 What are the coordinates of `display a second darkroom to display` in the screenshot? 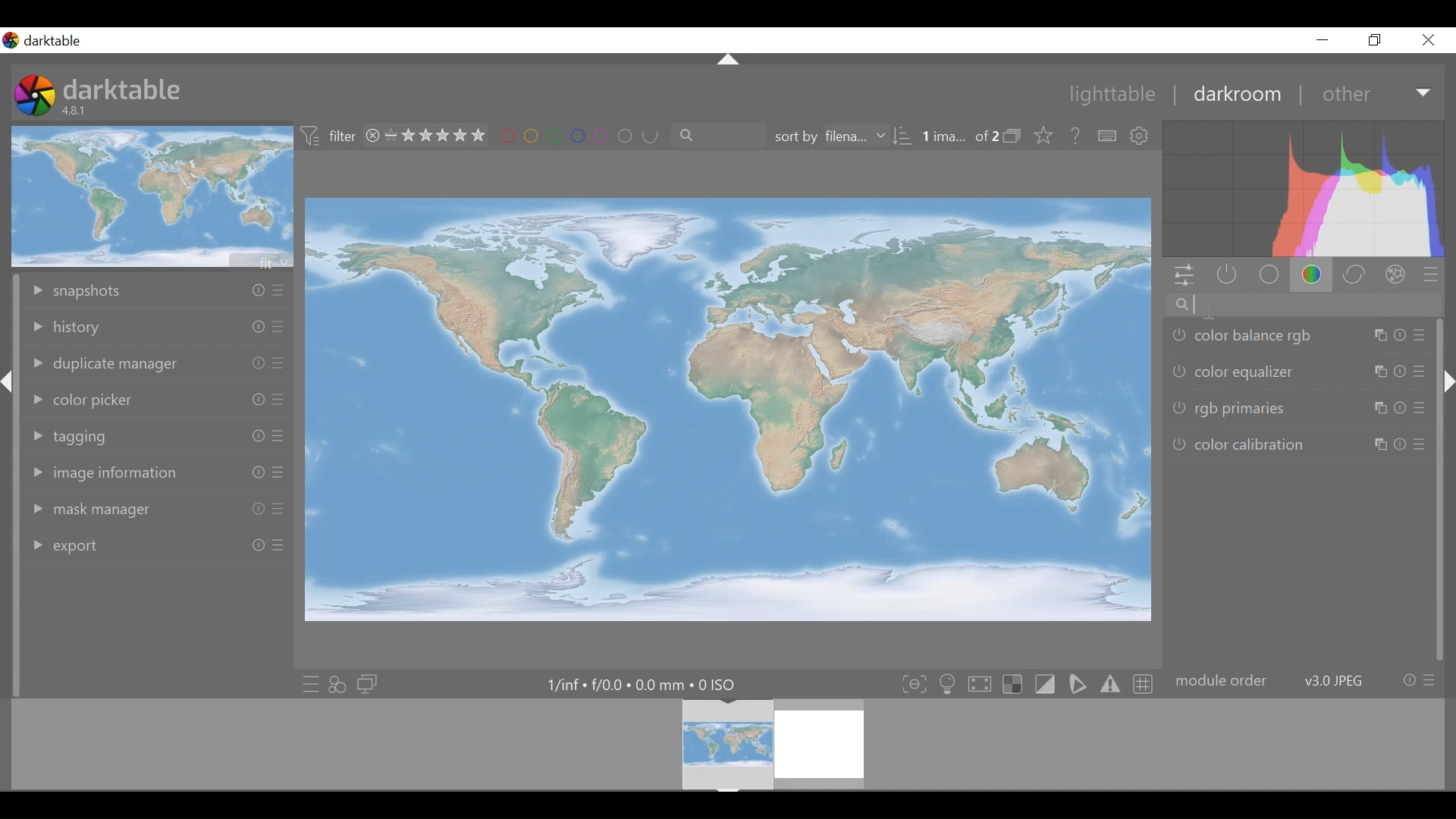 It's located at (369, 683).